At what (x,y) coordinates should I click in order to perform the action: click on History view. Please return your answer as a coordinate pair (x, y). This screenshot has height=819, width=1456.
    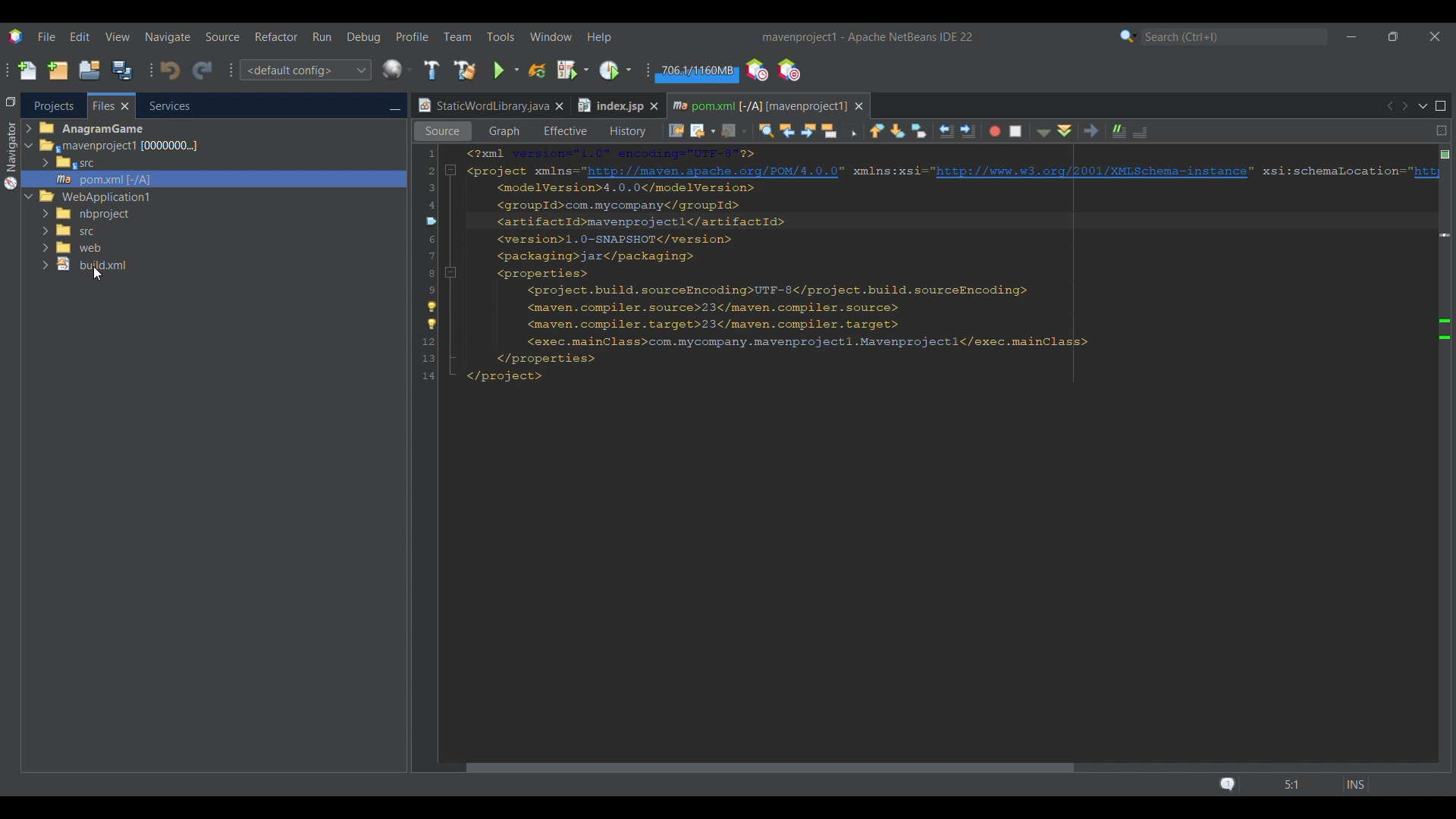
    Looking at the image, I should click on (624, 129).